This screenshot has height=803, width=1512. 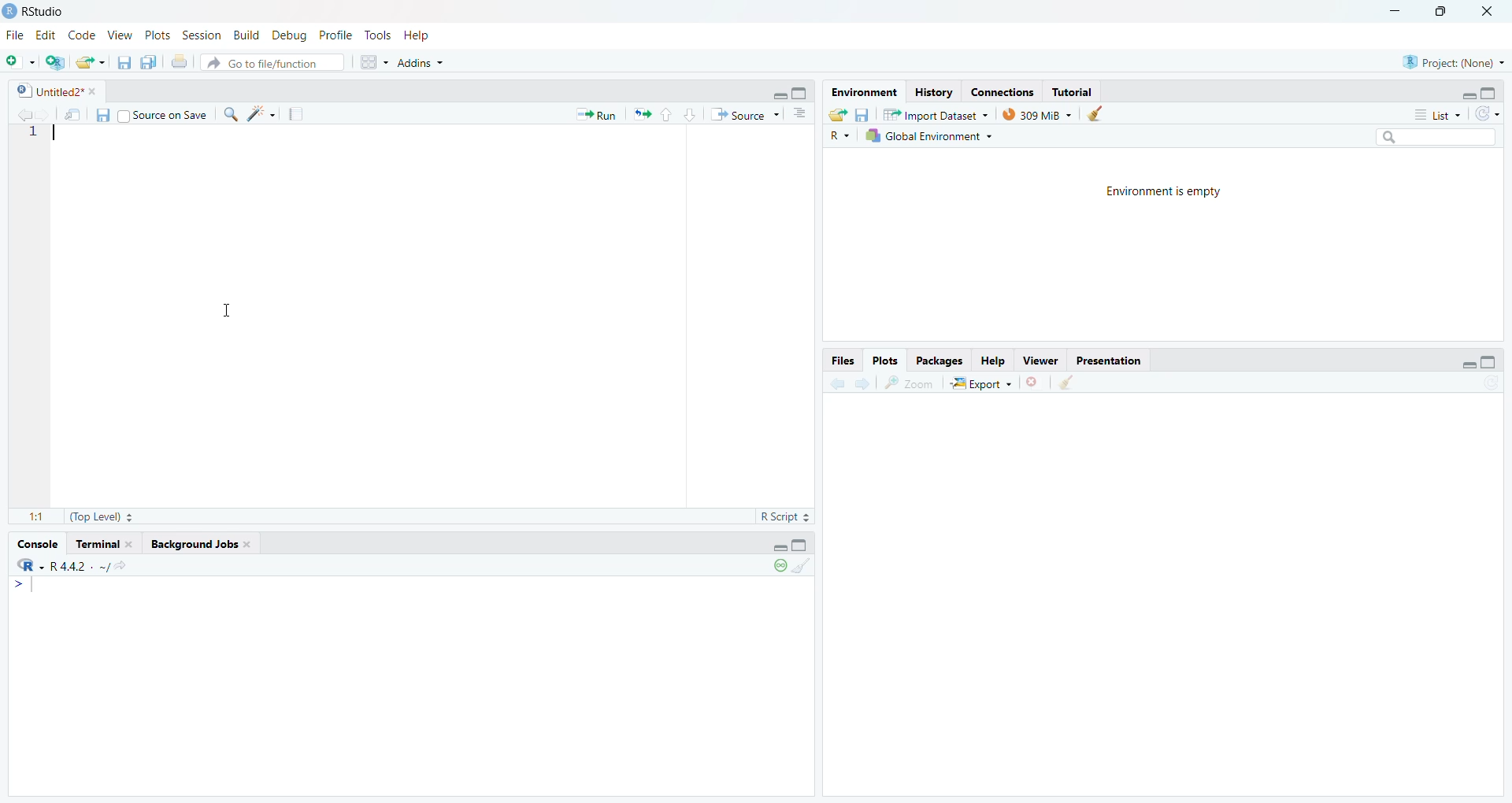 What do you see at coordinates (670, 116) in the screenshot?
I see `upward` at bounding box center [670, 116].